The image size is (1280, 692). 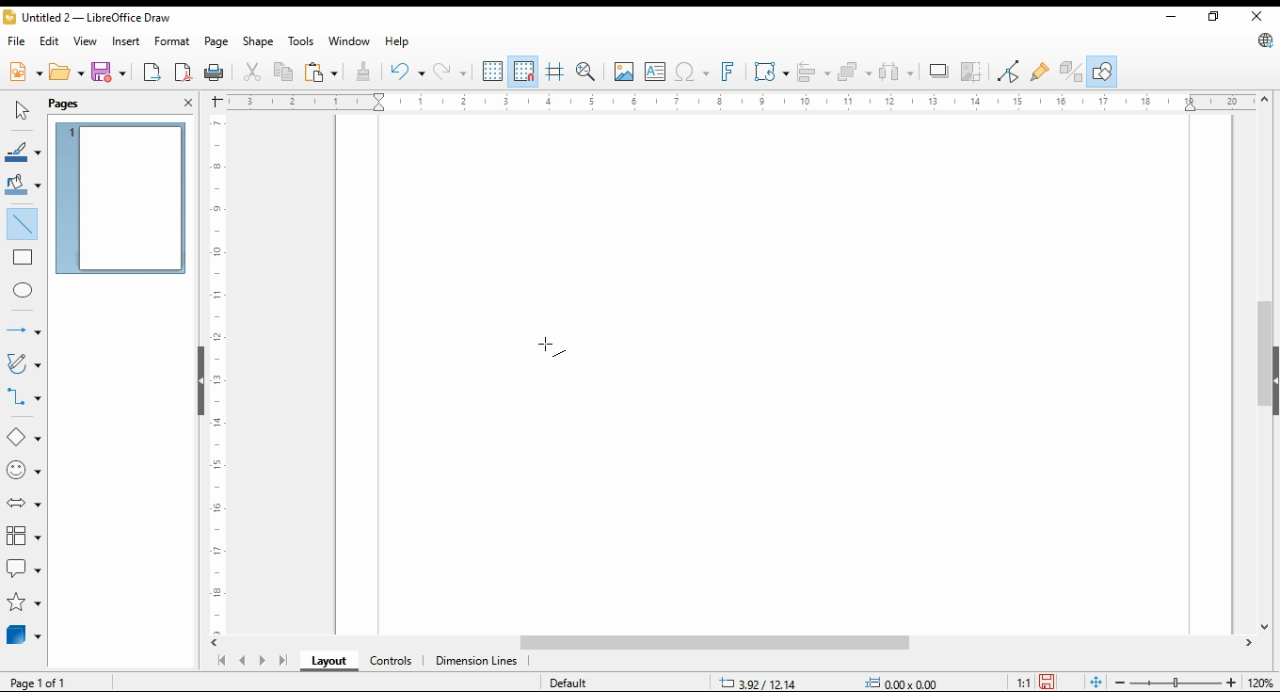 I want to click on ontrols, so click(x=392, y=661).